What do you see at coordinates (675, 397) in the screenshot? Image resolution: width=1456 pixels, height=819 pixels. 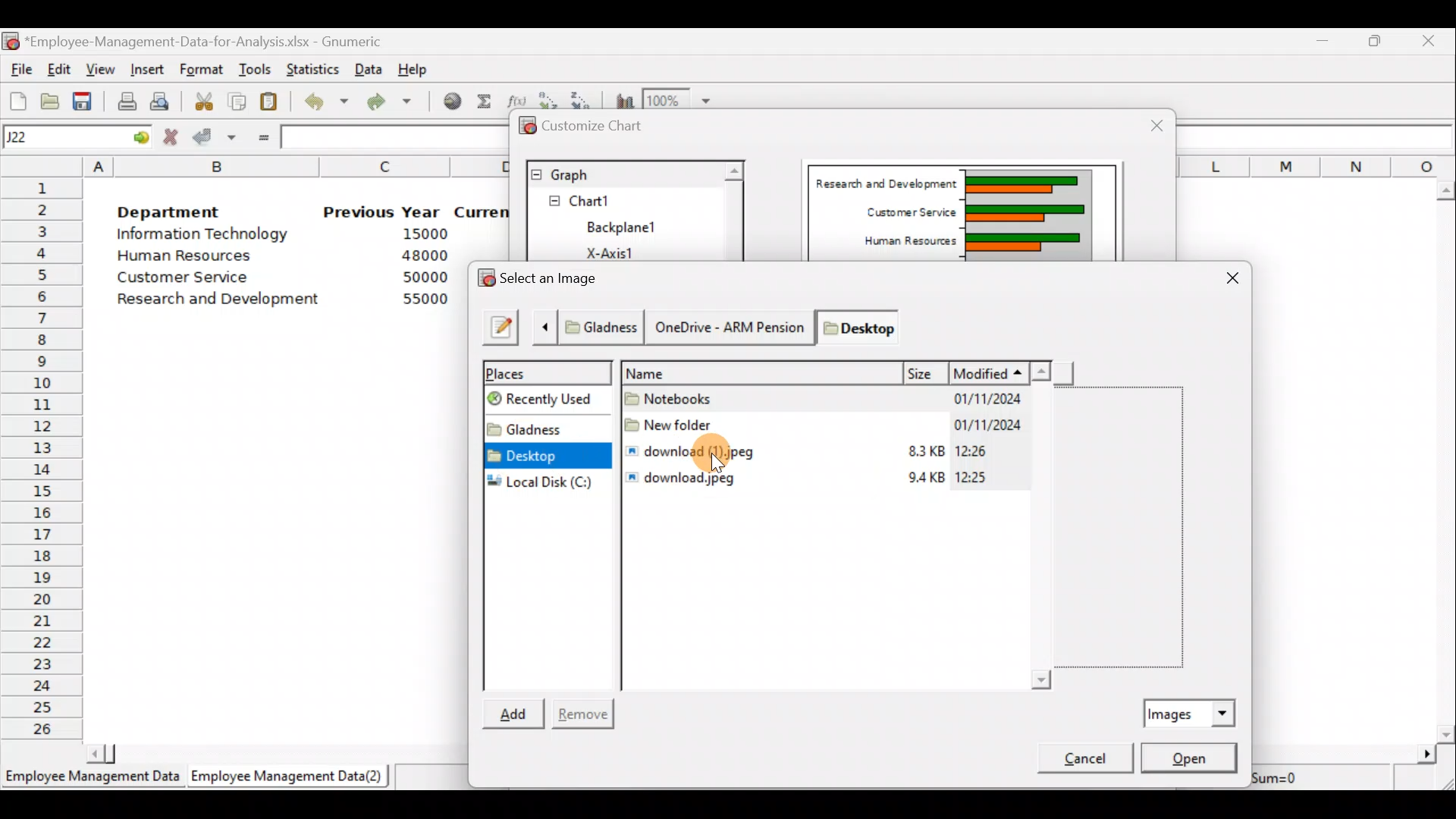 I see `Notebooks` at bounding box center [675, 397].